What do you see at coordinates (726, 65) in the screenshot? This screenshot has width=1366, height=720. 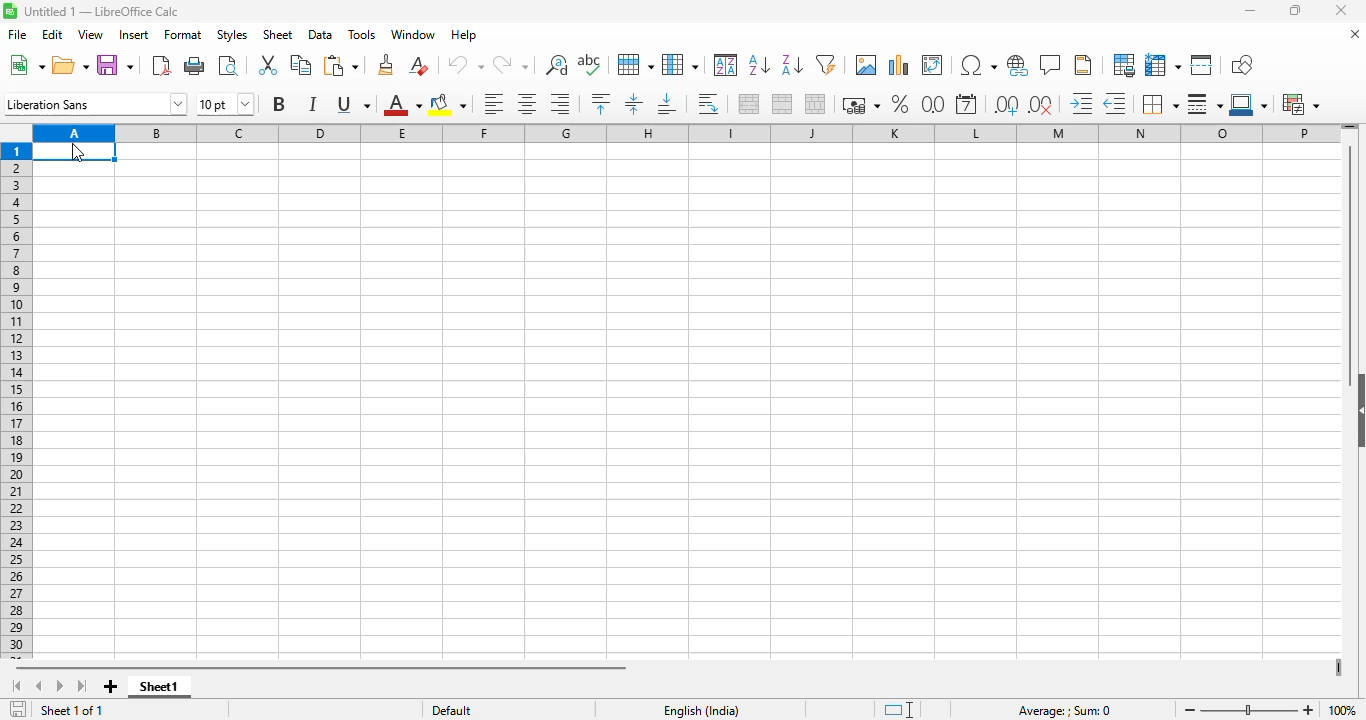 I see `sort` at bounding box center [726, 65].